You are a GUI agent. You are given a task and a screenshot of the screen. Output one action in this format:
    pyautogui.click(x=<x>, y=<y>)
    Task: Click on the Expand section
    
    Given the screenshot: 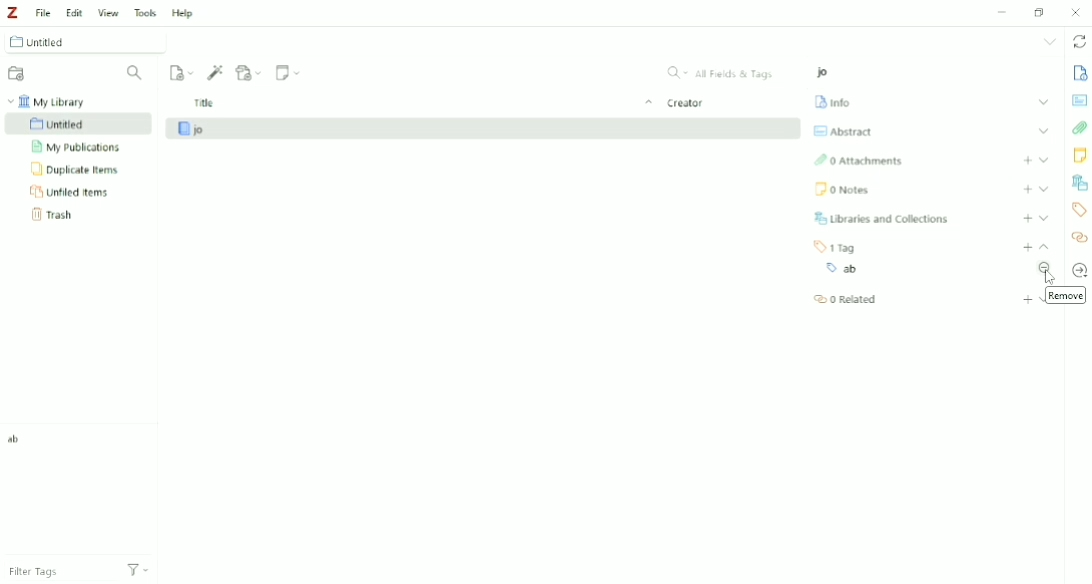 What is the action you would take?
    pyautogui.click(x=1044, y=159)
    